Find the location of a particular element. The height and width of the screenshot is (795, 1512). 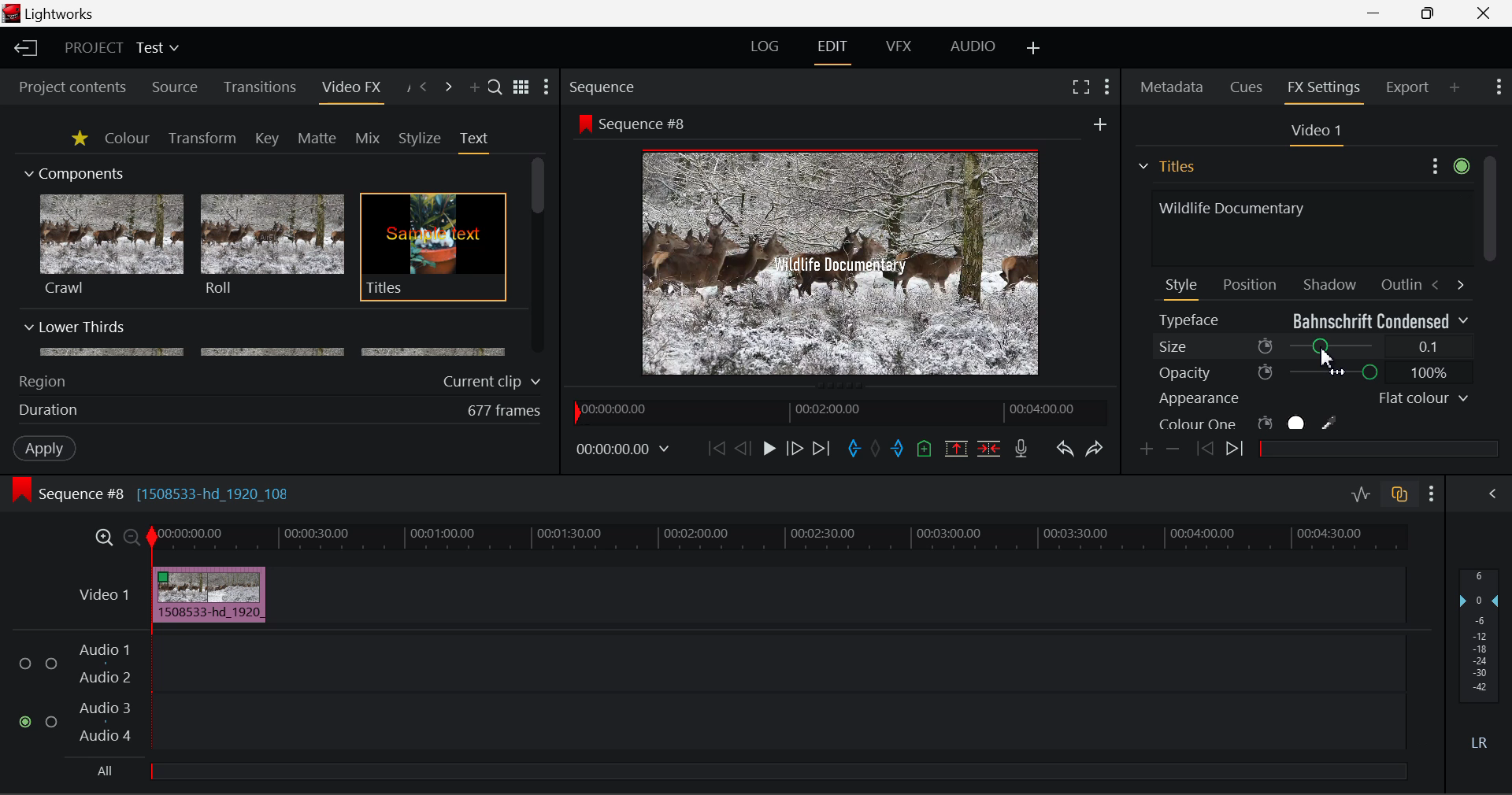

Source is located at coordinates (175, 89).